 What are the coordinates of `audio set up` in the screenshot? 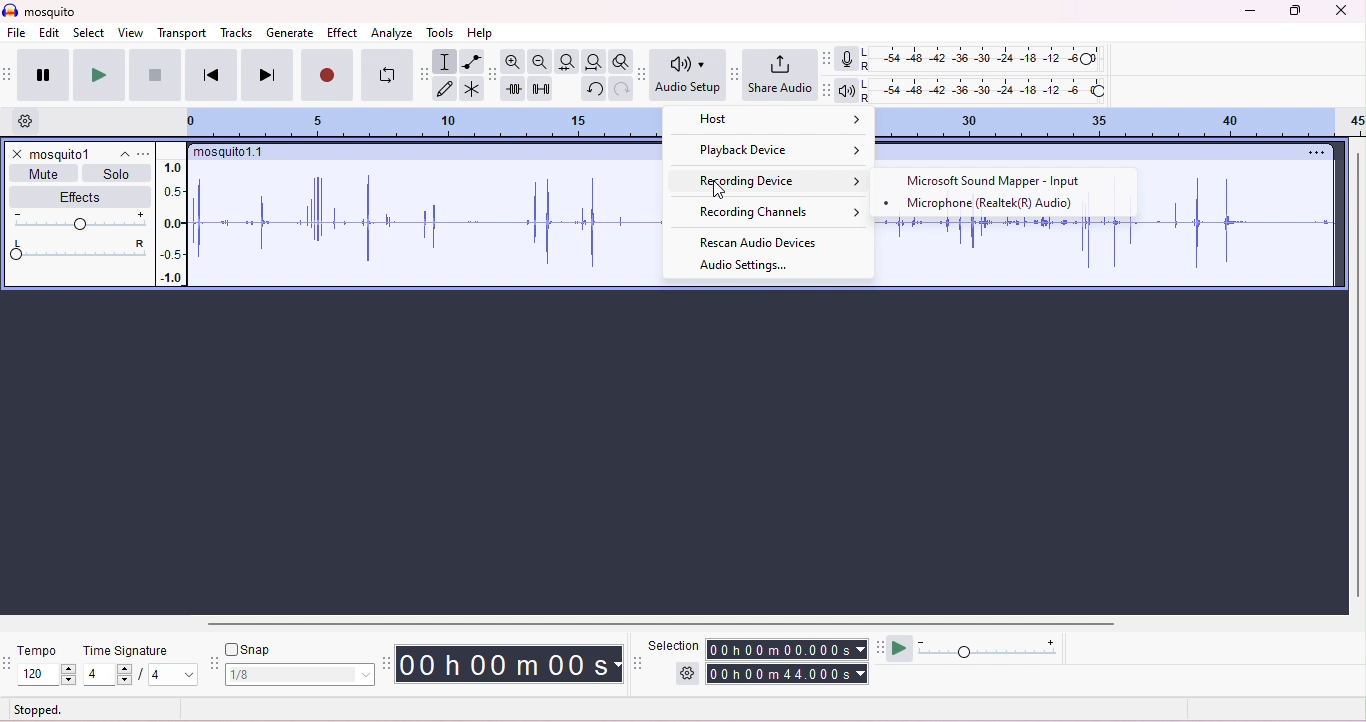 It's located at (688, 75).